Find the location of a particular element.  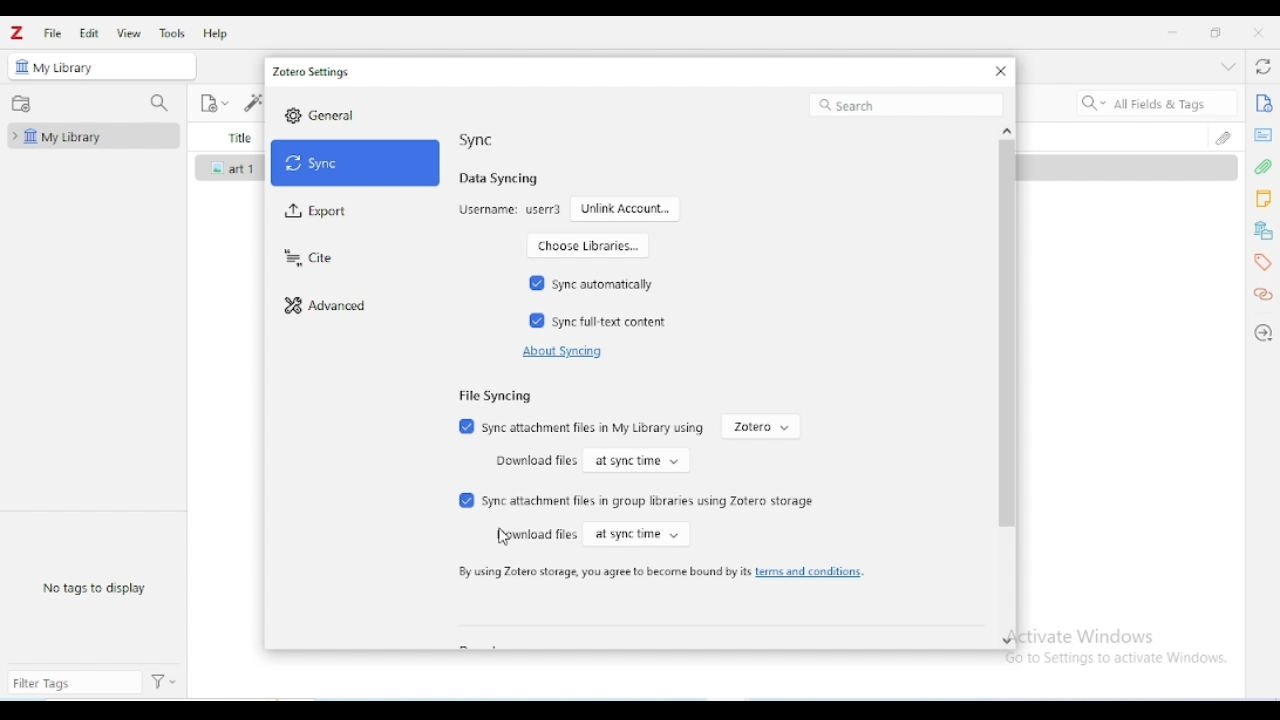

search all fields & tags is located at coordinates (1155, 103).